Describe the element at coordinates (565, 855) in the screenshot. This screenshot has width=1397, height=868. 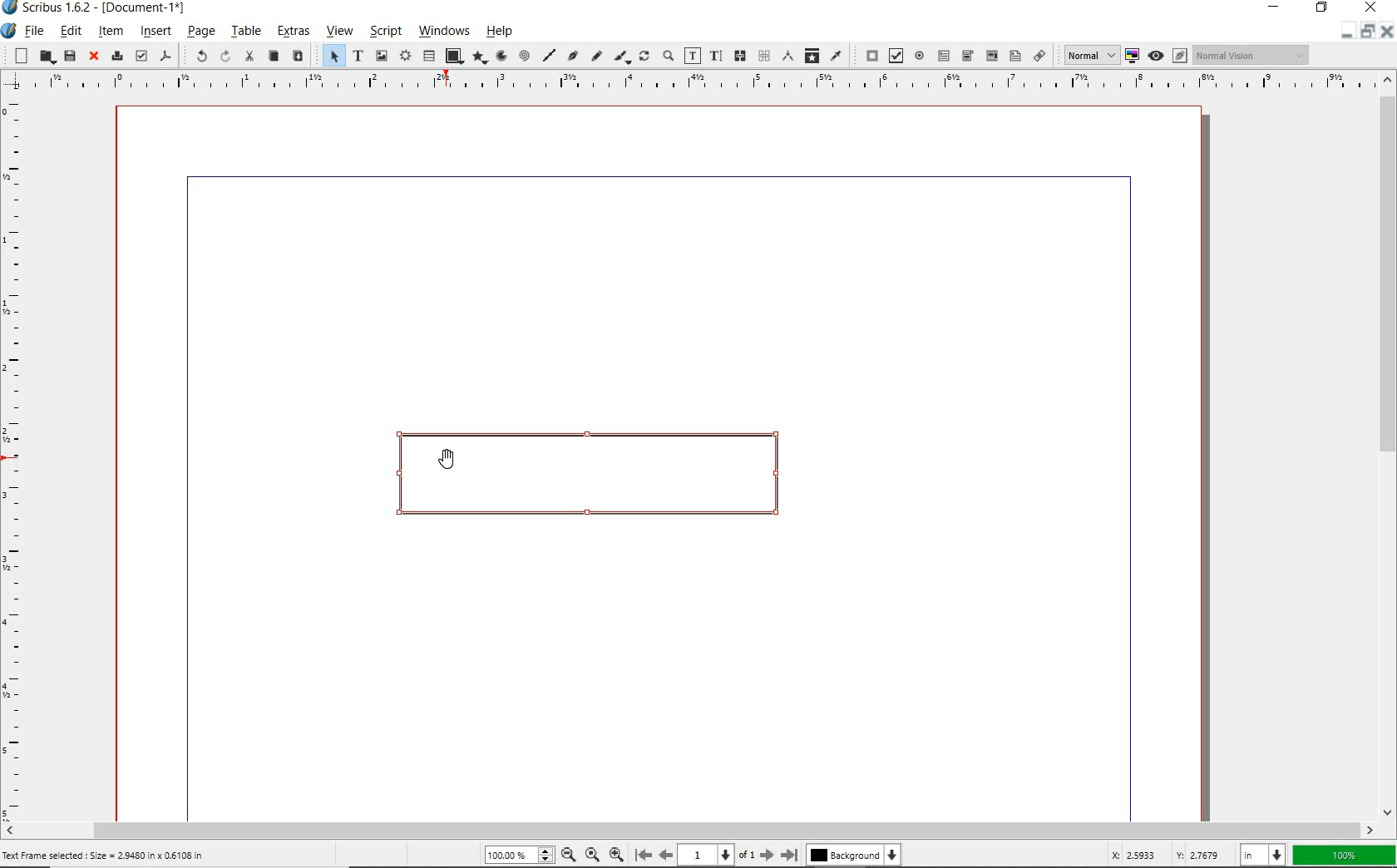
I see `Zoom out` at that location.